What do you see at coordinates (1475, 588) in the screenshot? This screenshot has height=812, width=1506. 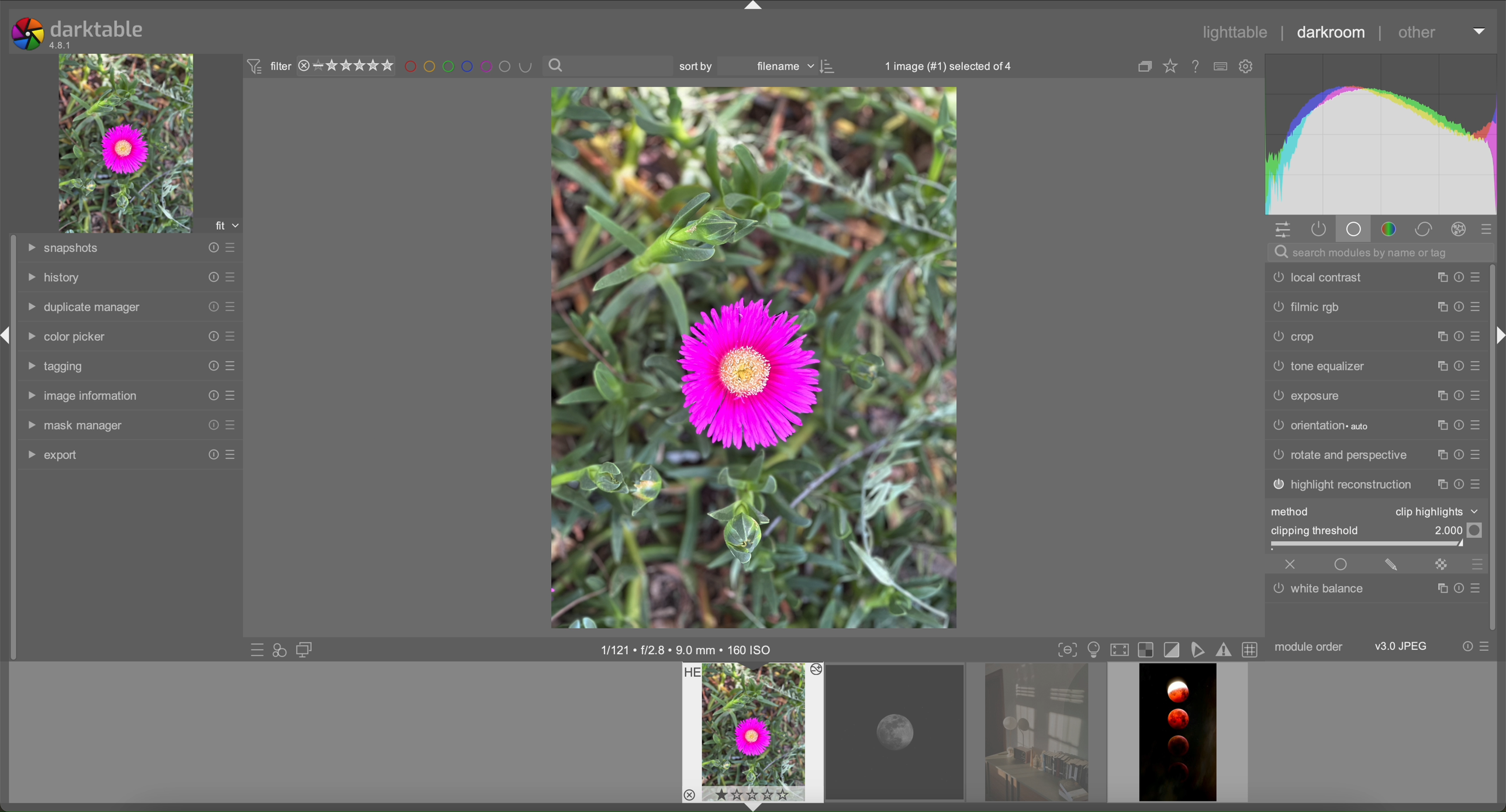 I see `presets` at bounding box center [1475, 588].